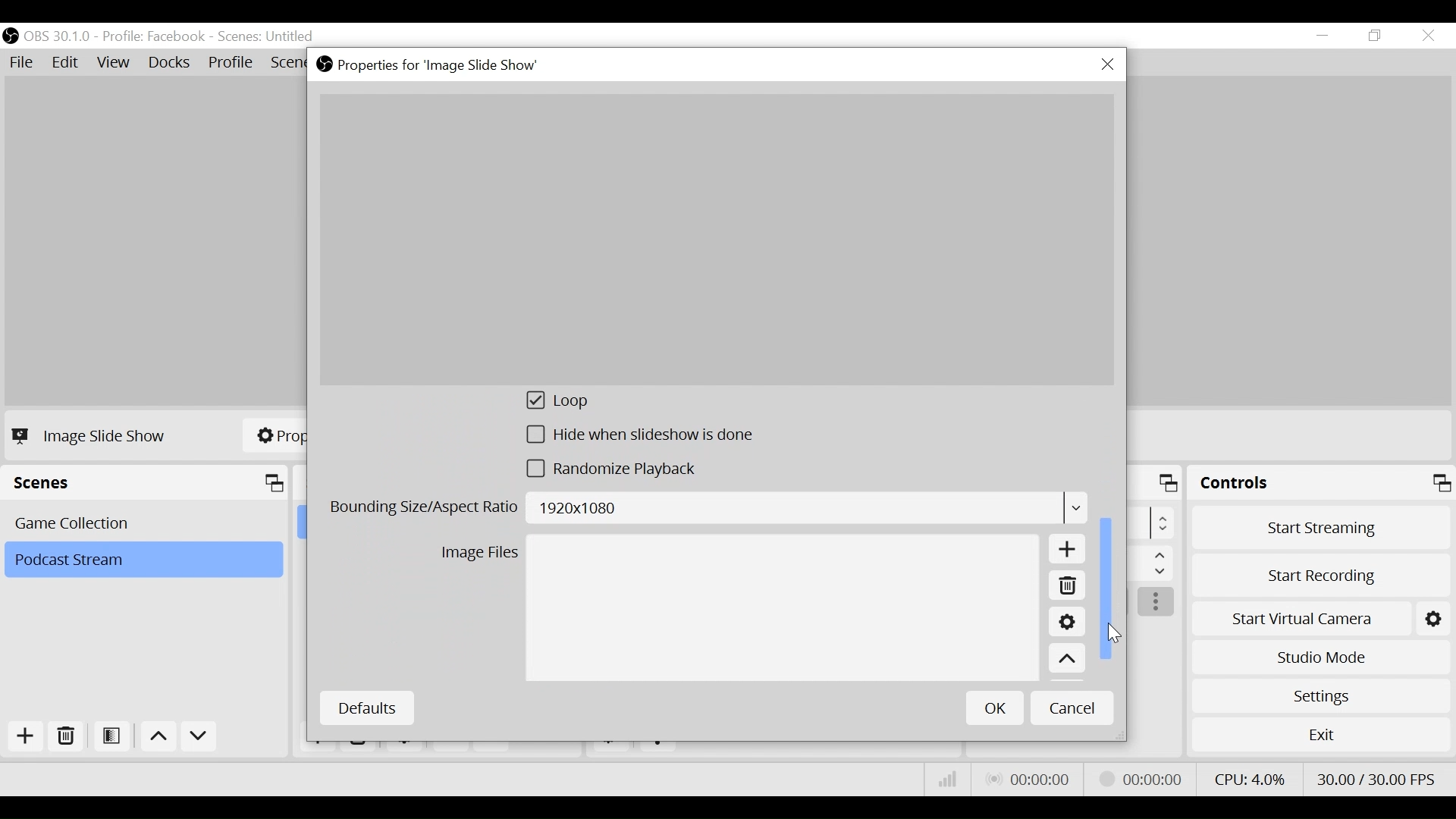 The image size is (1456, 819). I want to click on Restore, so click(1376, 36).